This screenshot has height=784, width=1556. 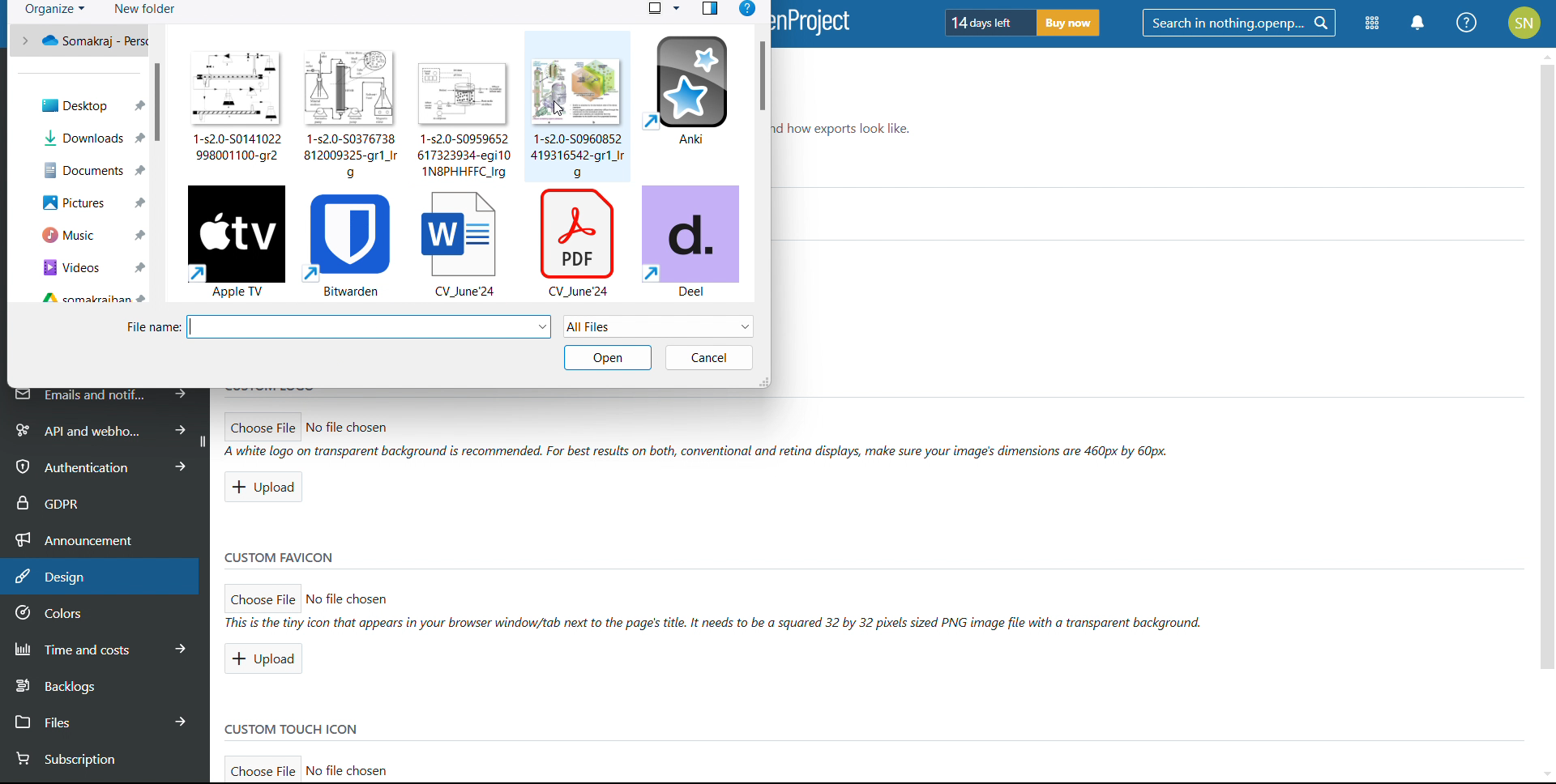 I want to click on file in folder, so click(x=460, y=108).